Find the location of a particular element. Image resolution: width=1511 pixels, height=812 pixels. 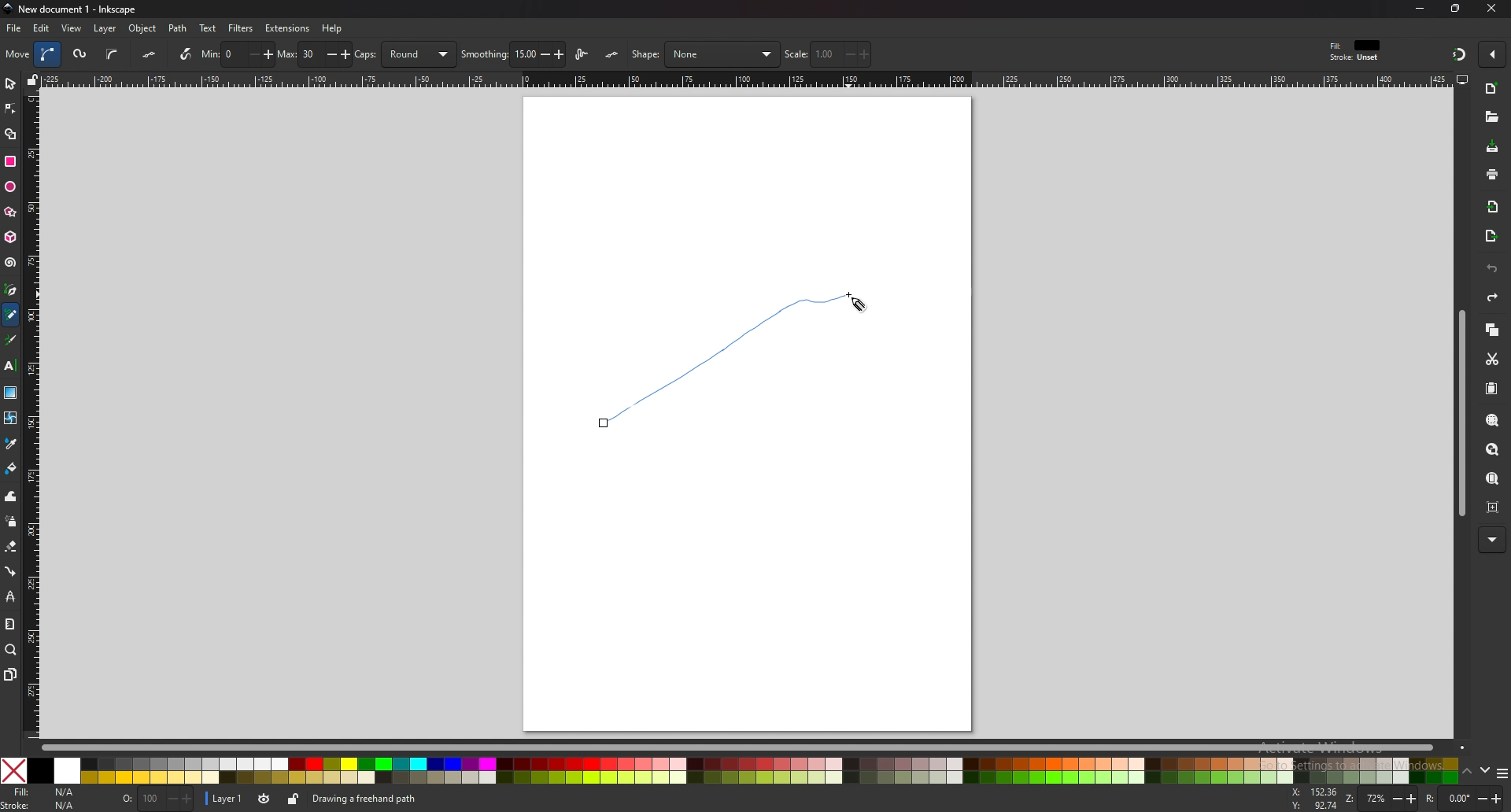

zoom selection is located at coordinates (1493, 420).